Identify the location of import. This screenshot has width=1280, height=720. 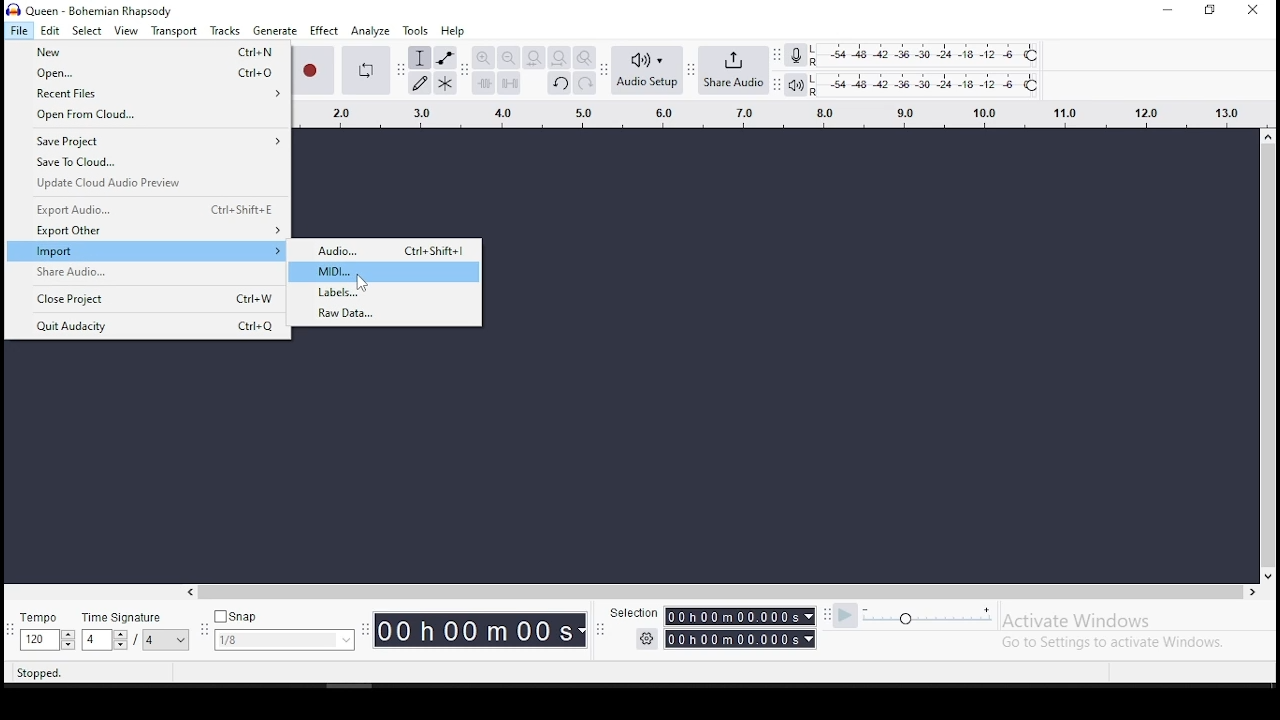
(146, 252).